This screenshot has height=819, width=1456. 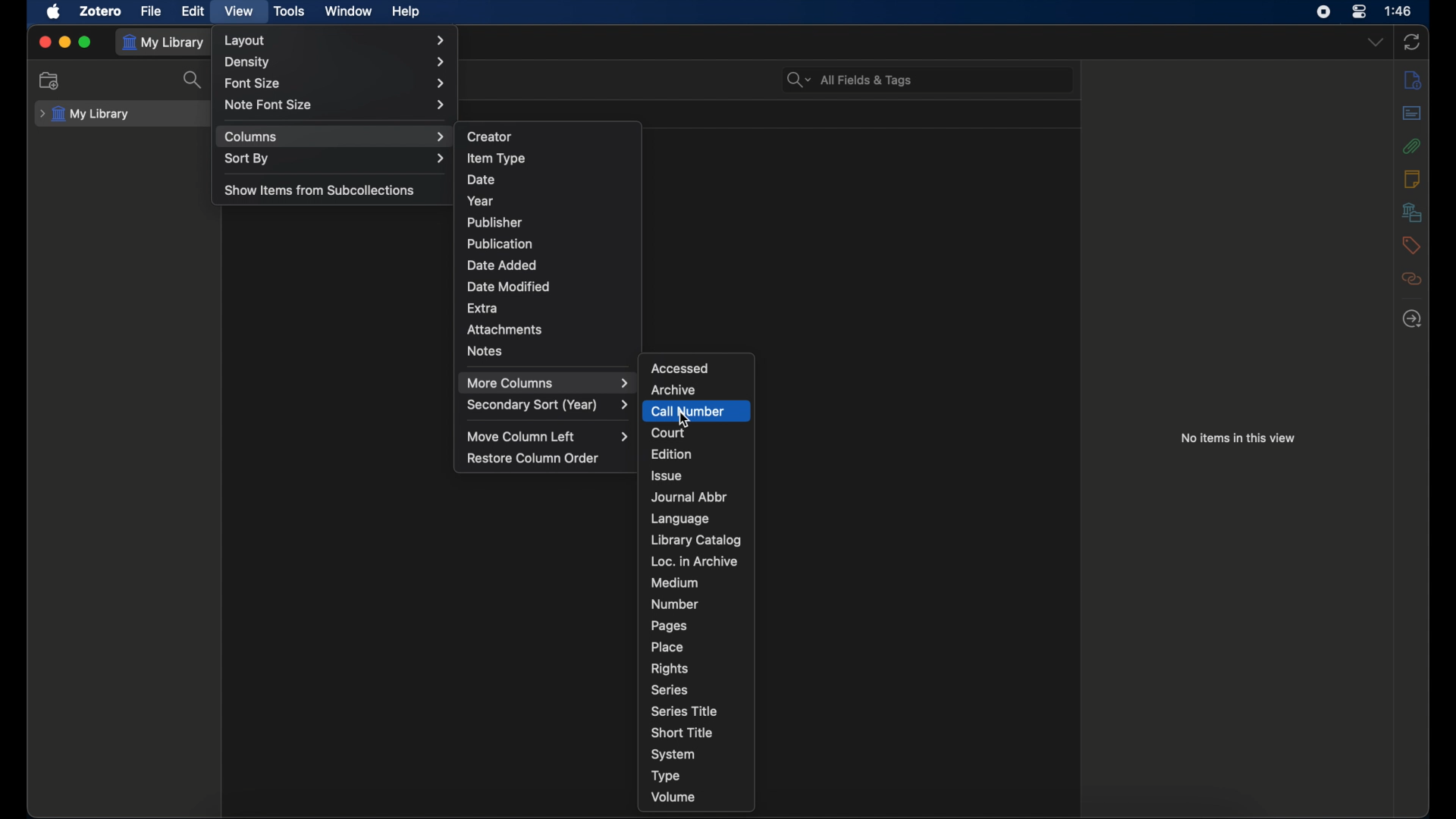 What do you see at coordinates (1409, 245) in the screenshot?
I see `tags` at bounding box center [1409, 245].